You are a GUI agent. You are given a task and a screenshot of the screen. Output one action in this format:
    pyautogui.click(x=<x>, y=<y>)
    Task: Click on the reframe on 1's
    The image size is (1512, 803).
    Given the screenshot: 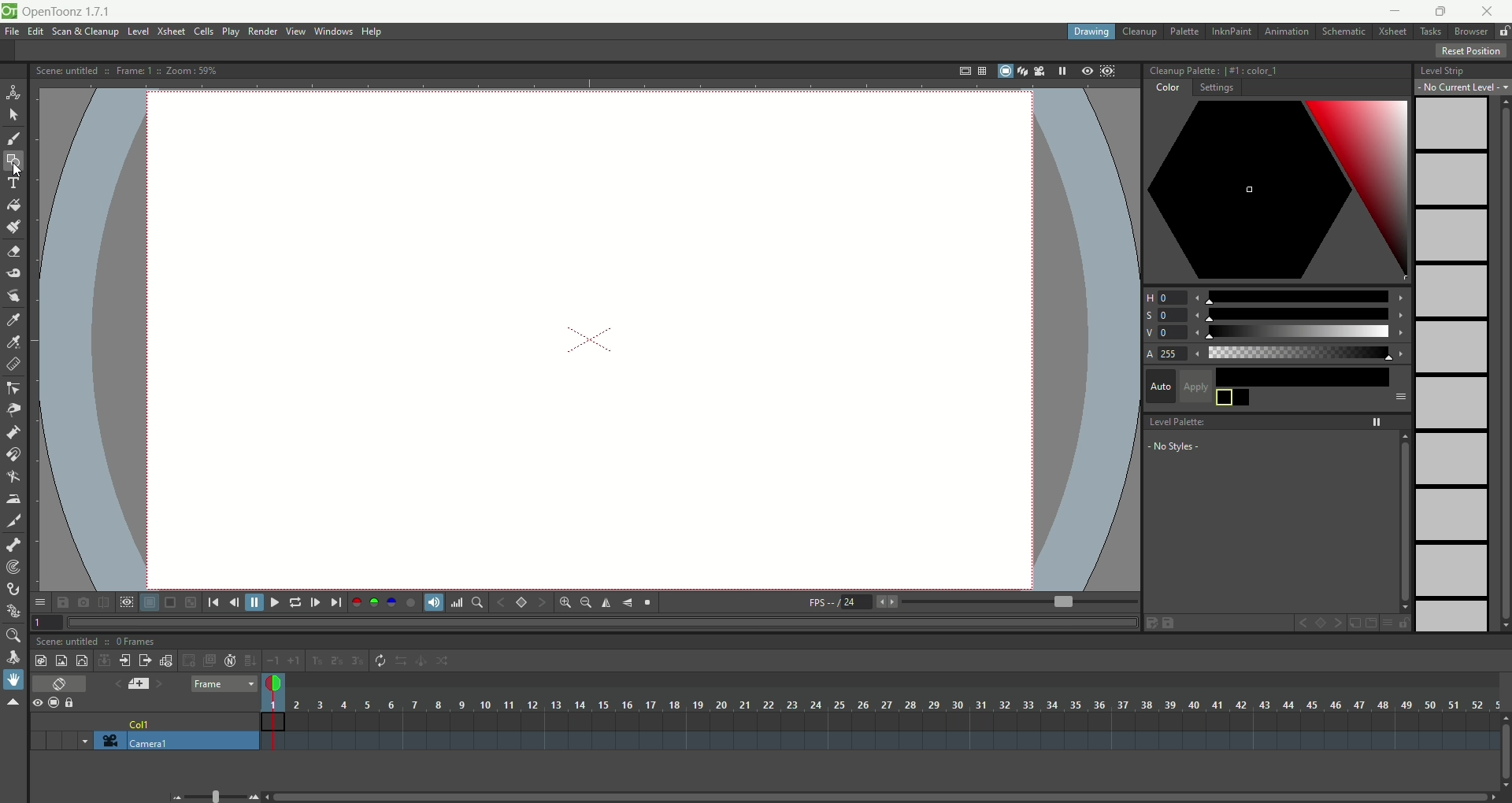 What is the action you would take?
    pyautogui.click(x=317, y=661)
    